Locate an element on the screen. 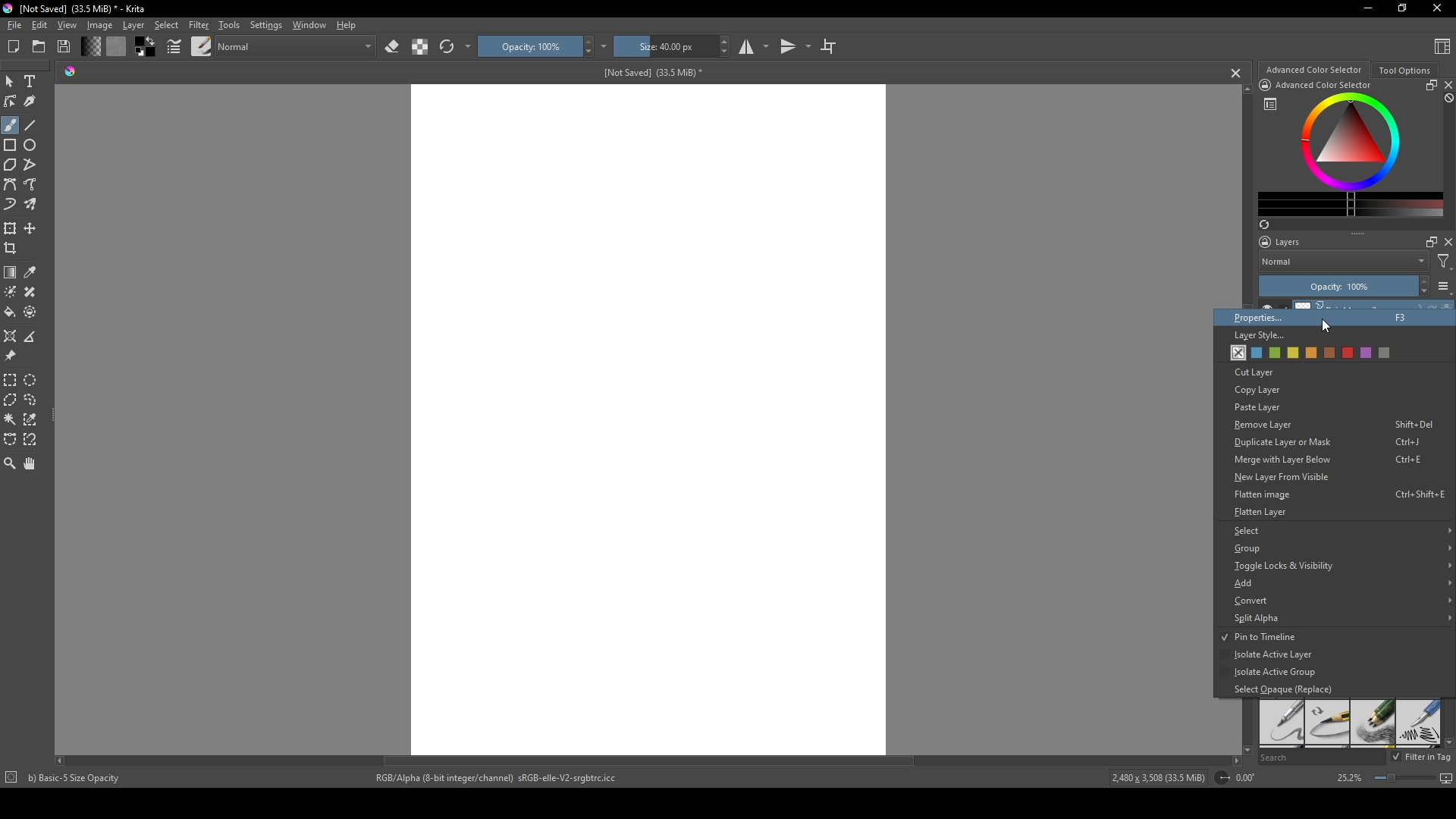 The width and height of the screenshot is (1456, 819). calligraphy pen is located at coordinates (1418, 724).